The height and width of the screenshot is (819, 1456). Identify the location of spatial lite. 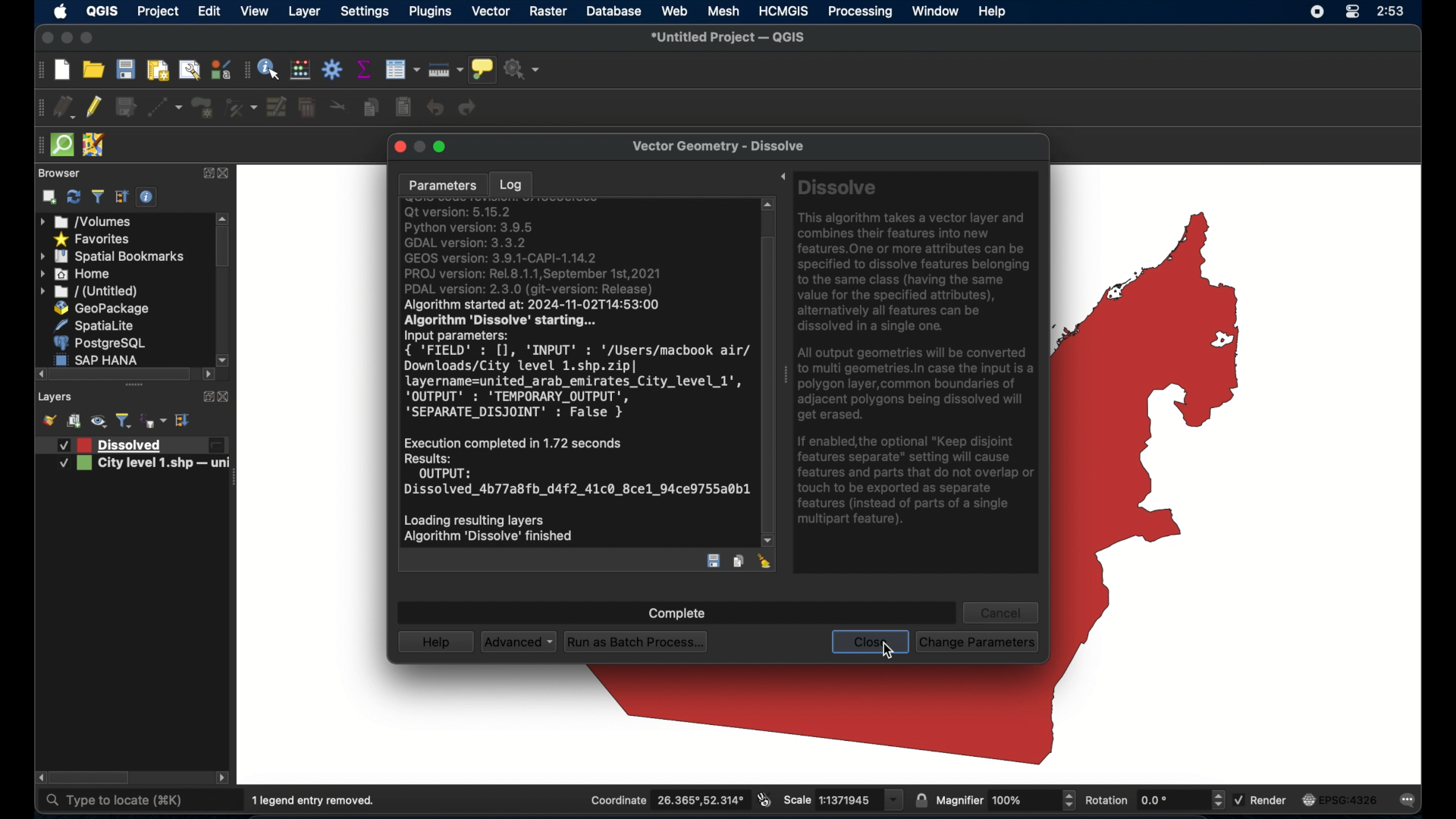
(96, 325).